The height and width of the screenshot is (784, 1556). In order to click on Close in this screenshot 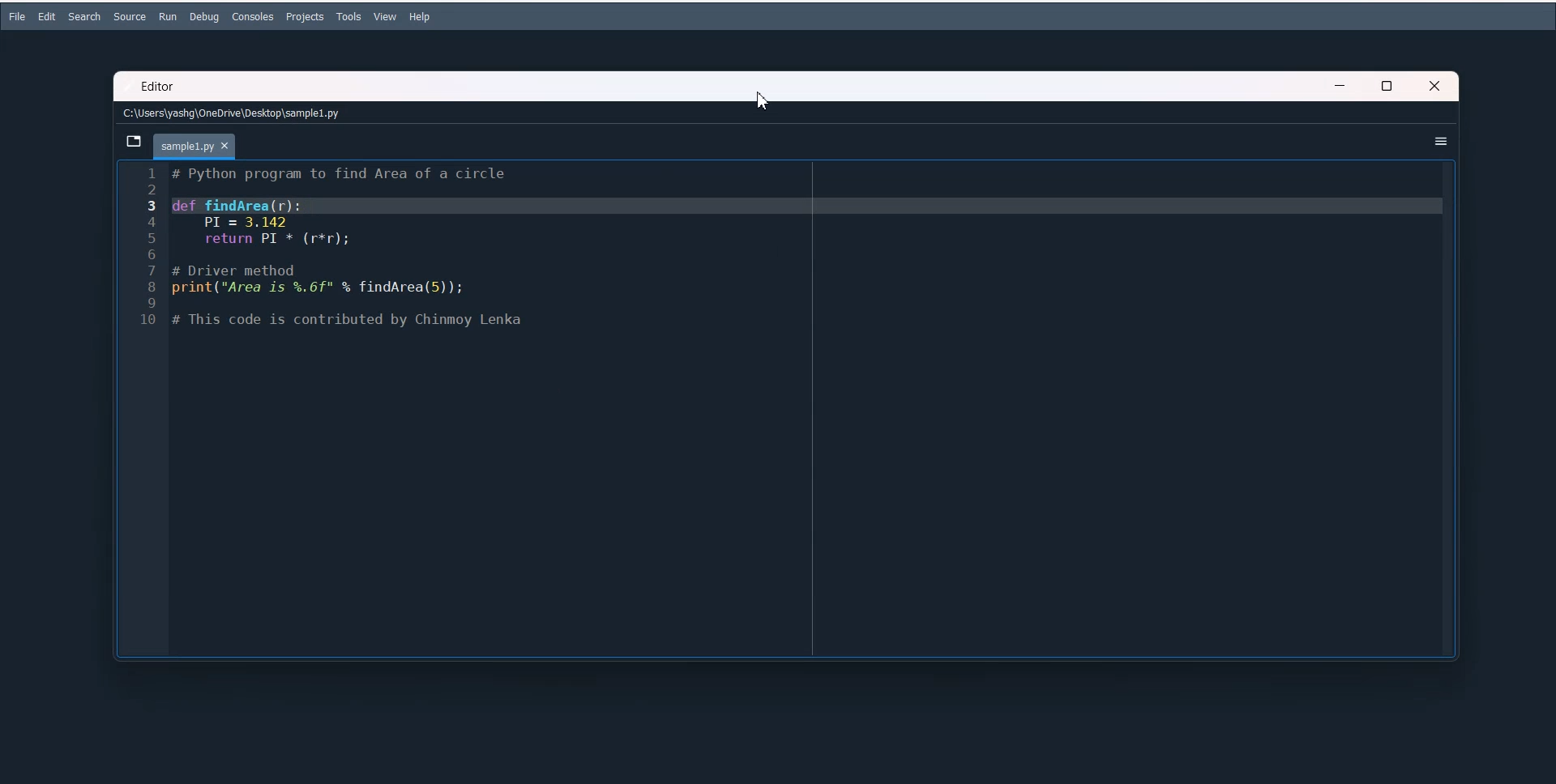, I will do `click(1438, 85)`.